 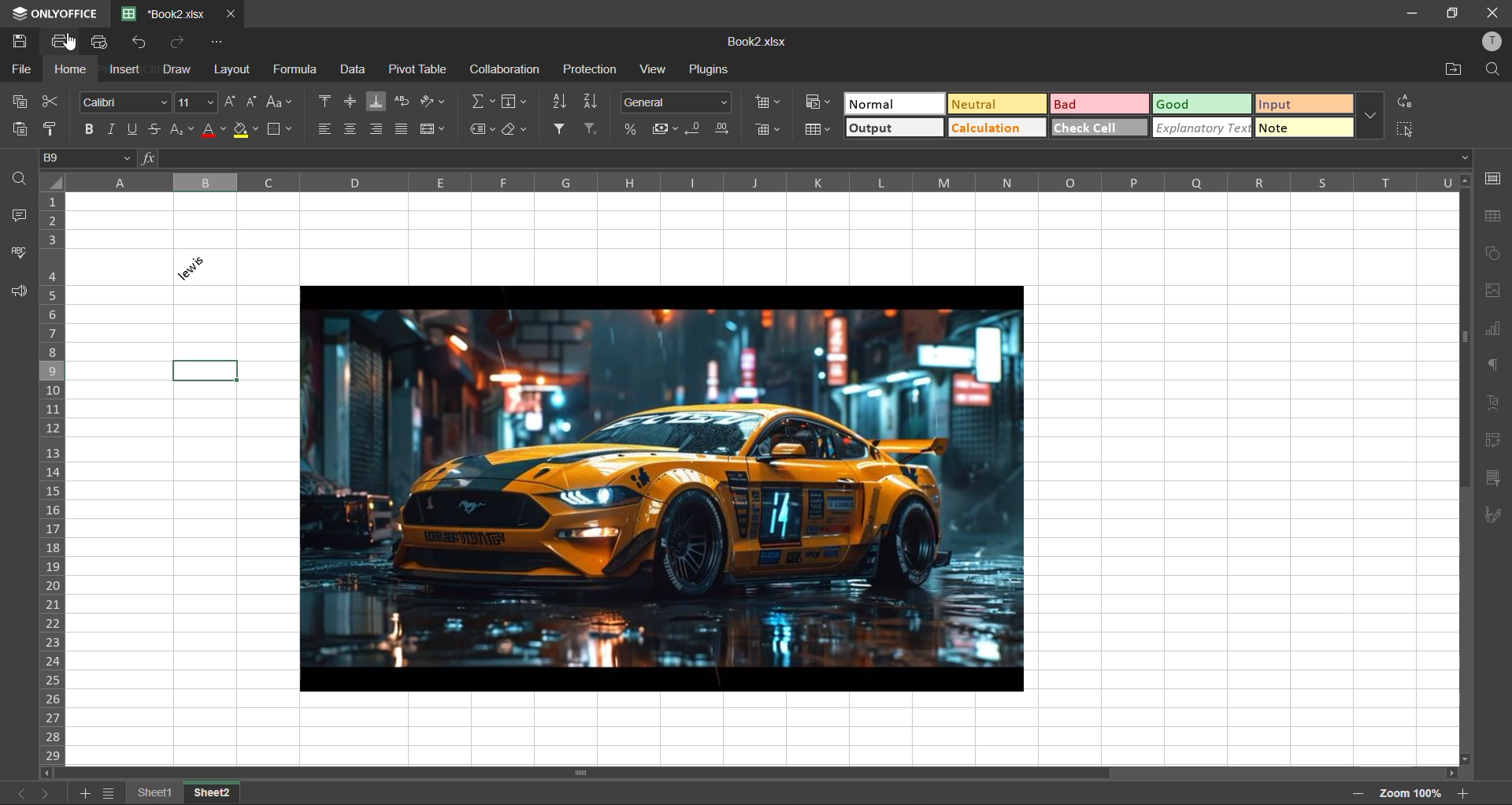 What do you see at coordinates (18, 217) in the screenshot?
I see `comments` at bounding box center [18, 217].